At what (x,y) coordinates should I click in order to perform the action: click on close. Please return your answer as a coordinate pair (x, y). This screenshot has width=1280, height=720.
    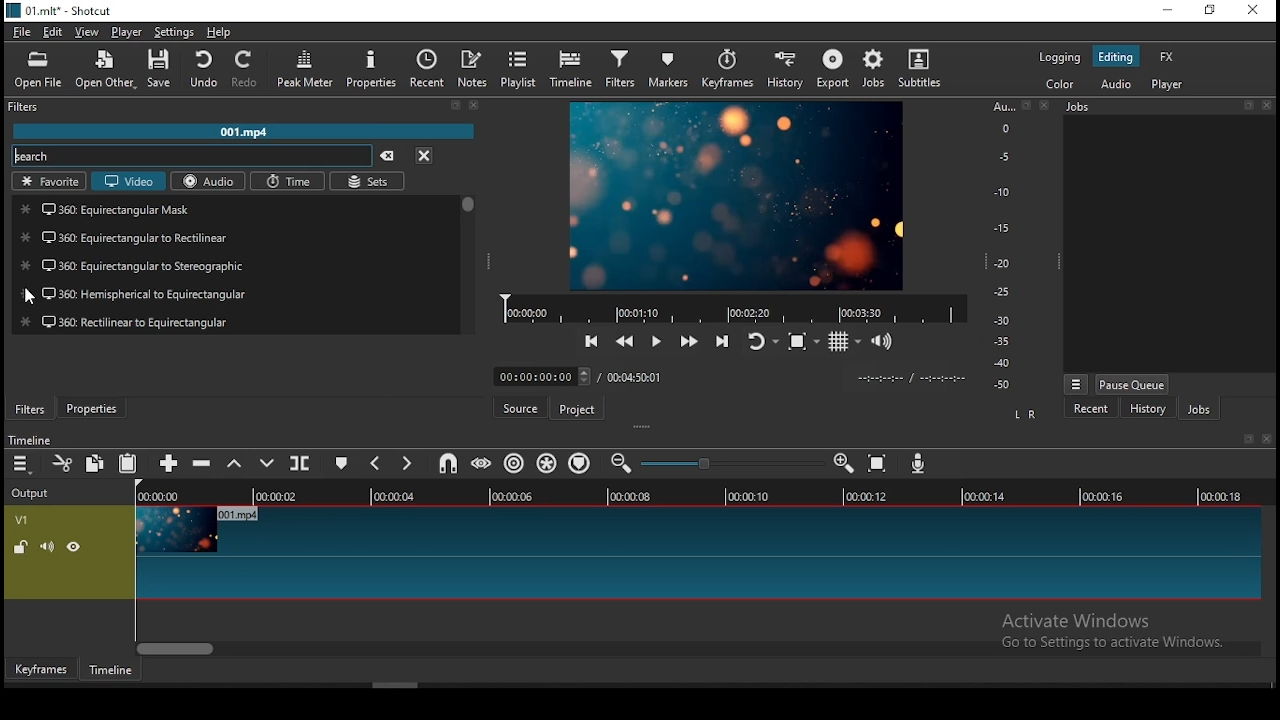
    Looking at the image, I should click on (1270, 105).